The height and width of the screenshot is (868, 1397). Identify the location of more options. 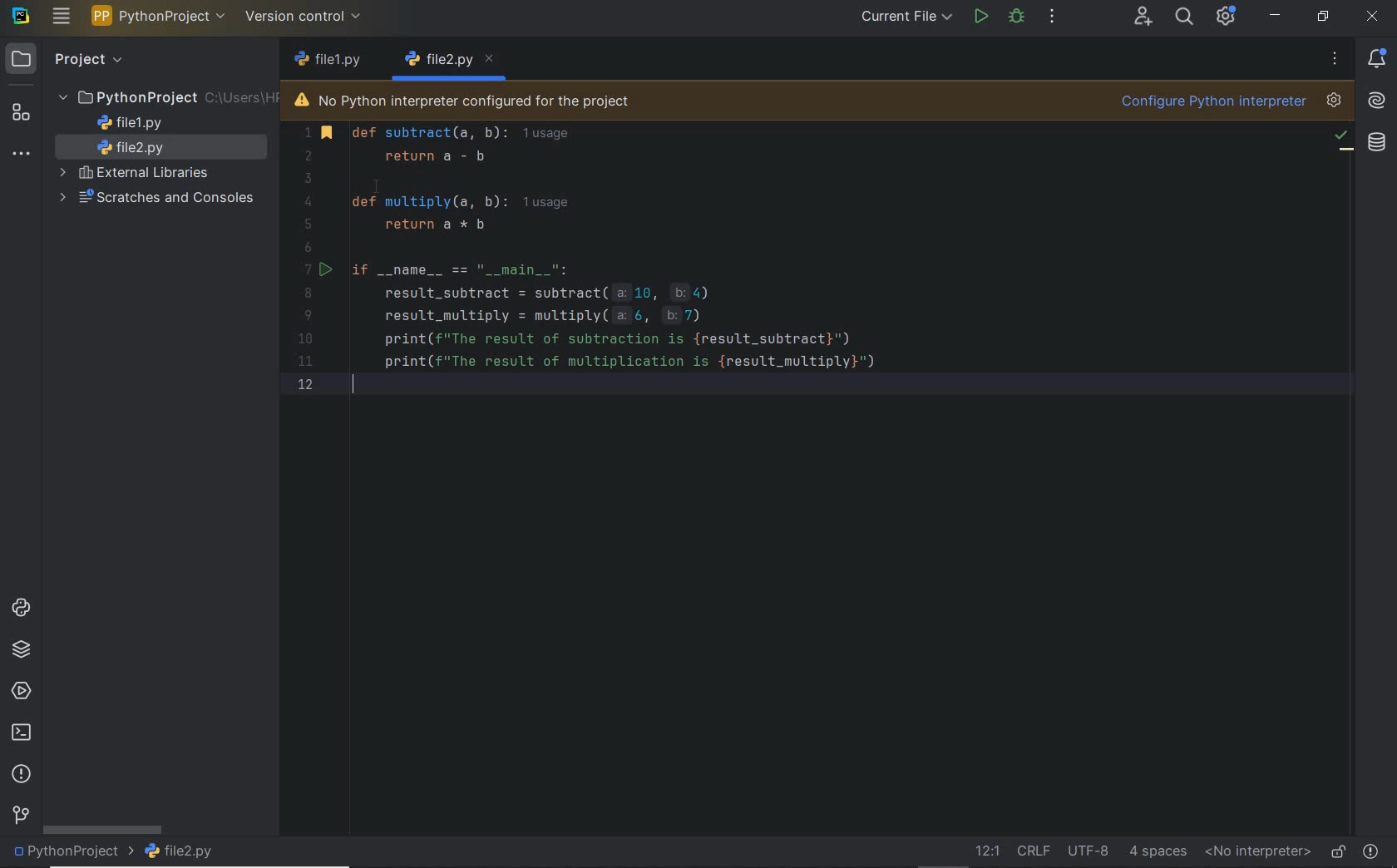
(1333, 58).